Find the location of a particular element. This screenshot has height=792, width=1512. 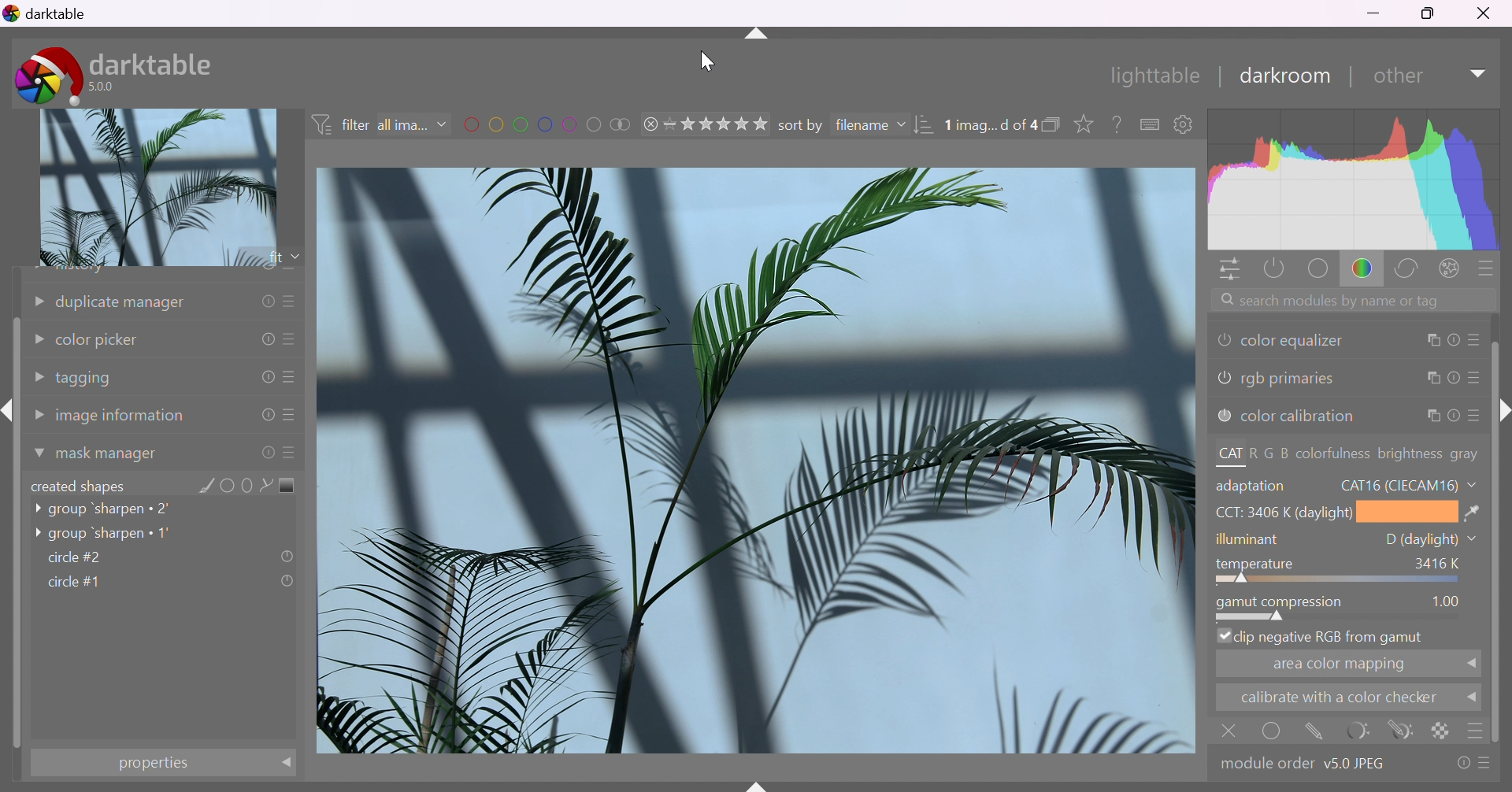

menu is located at coordinates (1473, 731).